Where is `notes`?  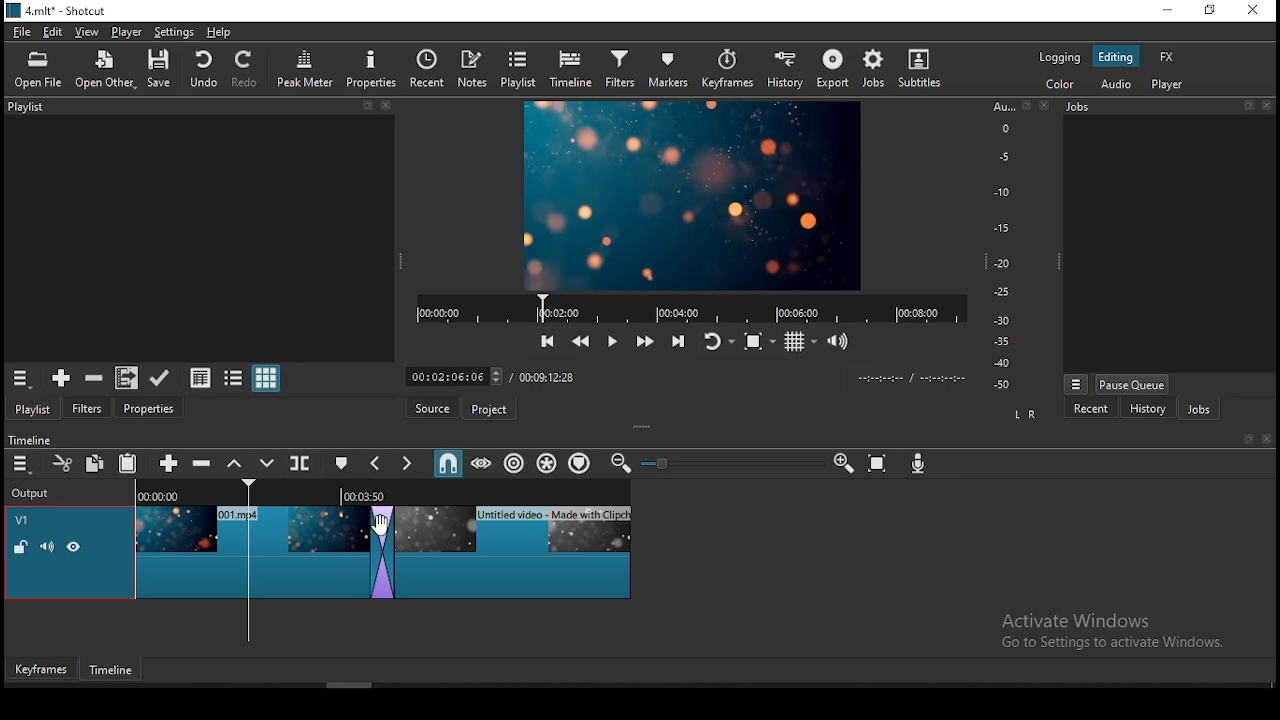
notes is located at coordinates (473, 68).